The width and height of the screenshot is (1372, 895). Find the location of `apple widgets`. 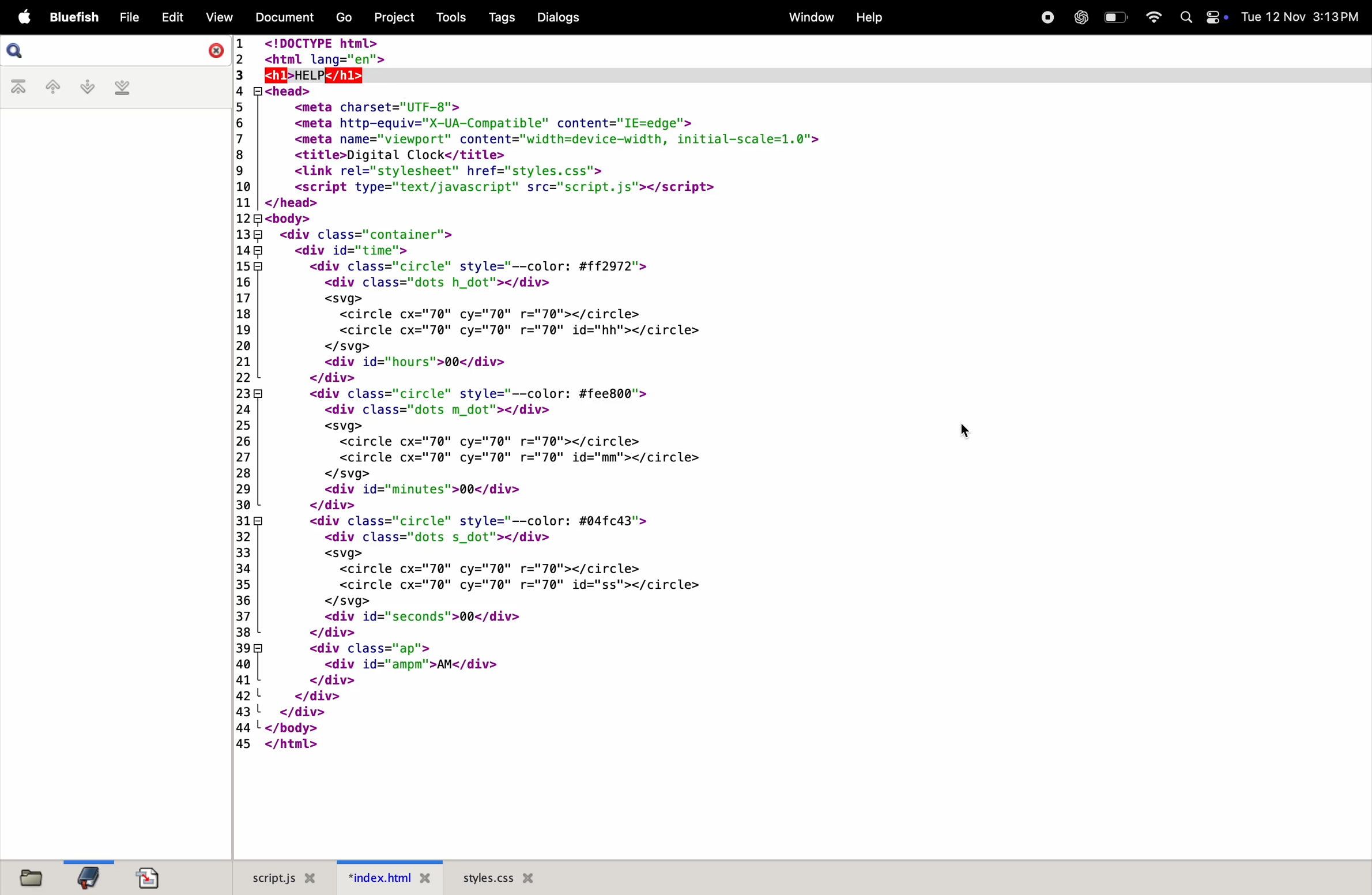

apple widgets is located at coordinates (1203, 17).